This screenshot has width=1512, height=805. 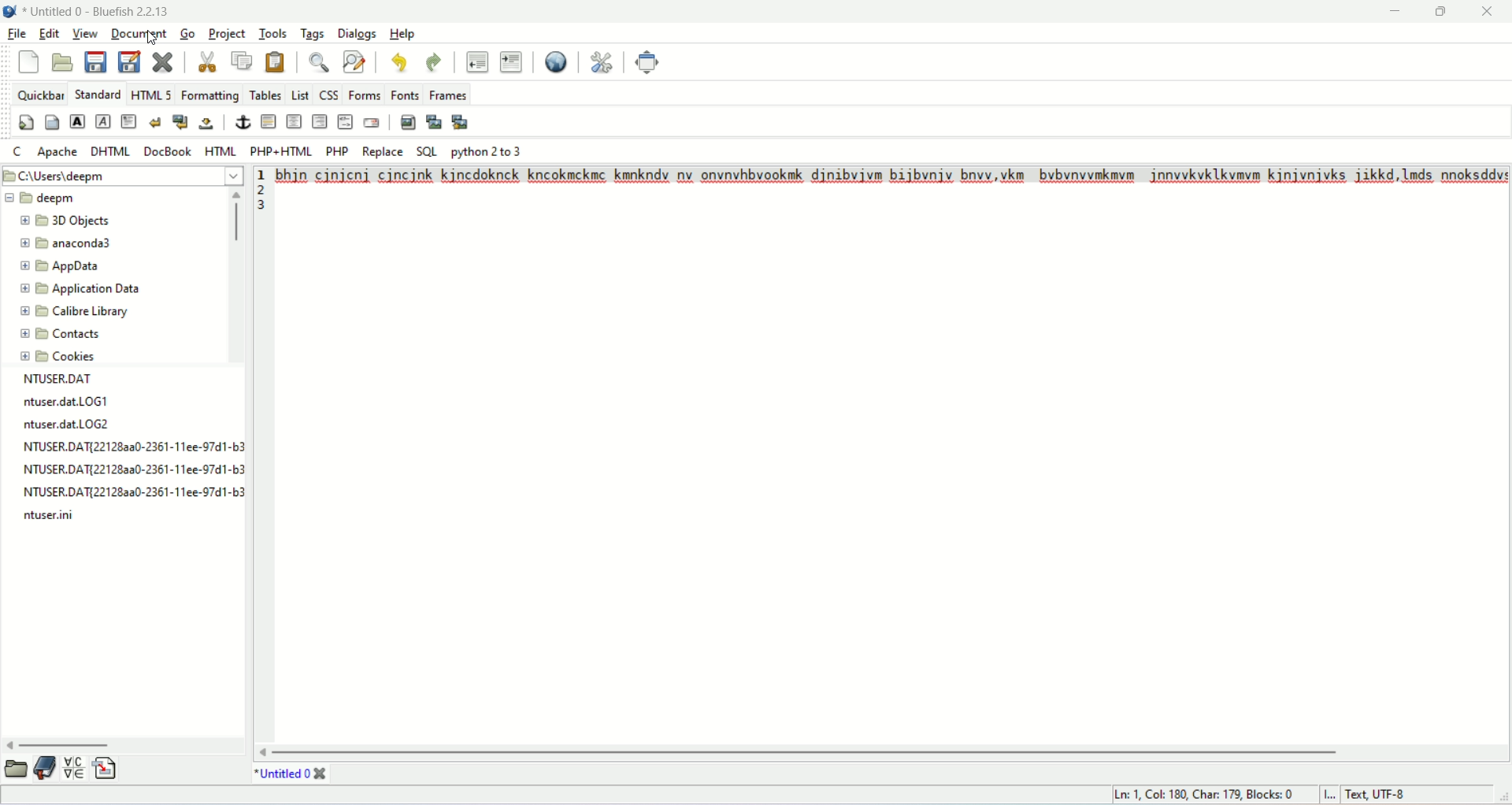 What do you see at coordinates (478, 61) in the screenshot?
I see `unindent` at bounding box center [478, 61].